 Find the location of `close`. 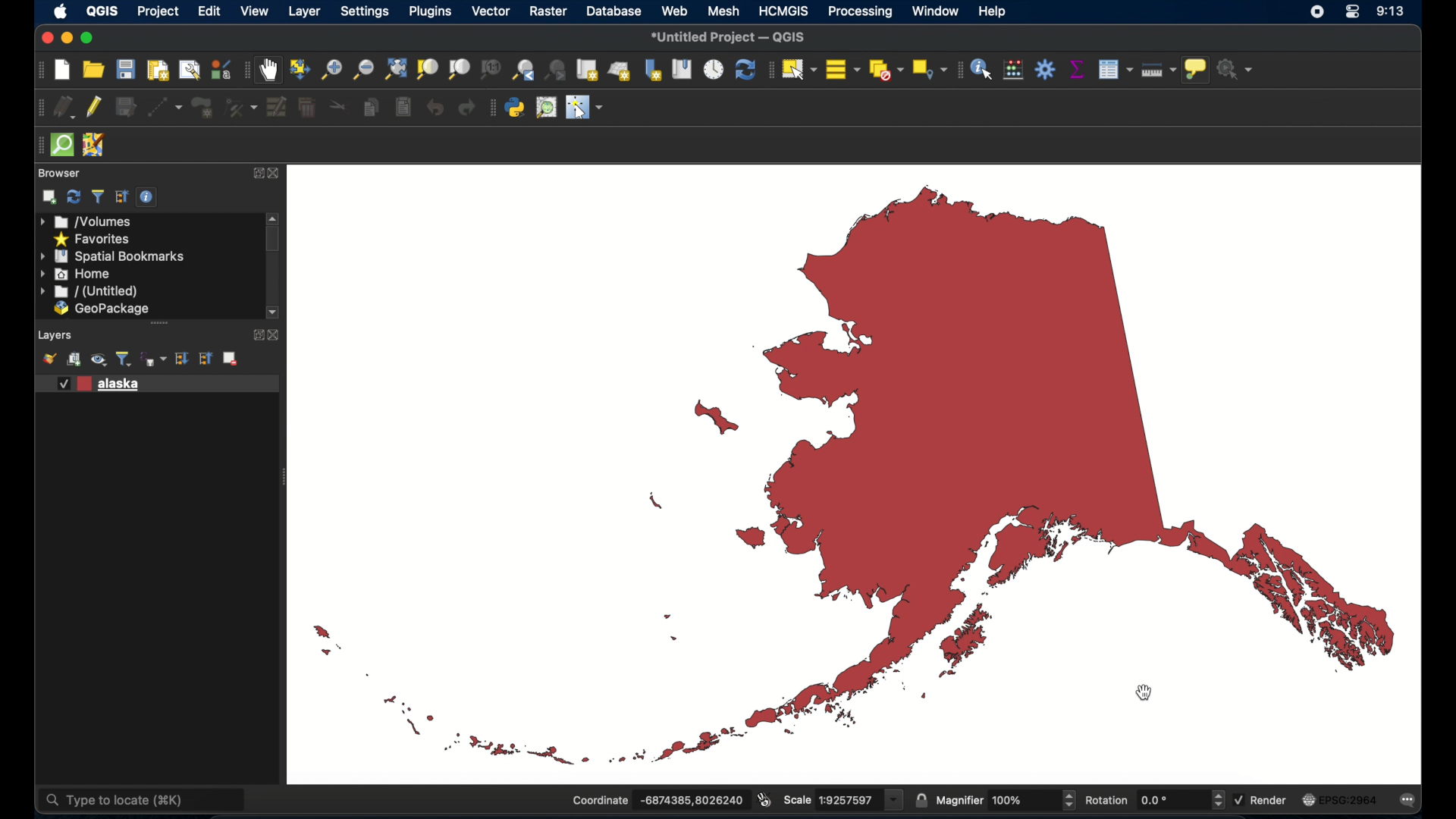

close is located at coordinates (276, 334).